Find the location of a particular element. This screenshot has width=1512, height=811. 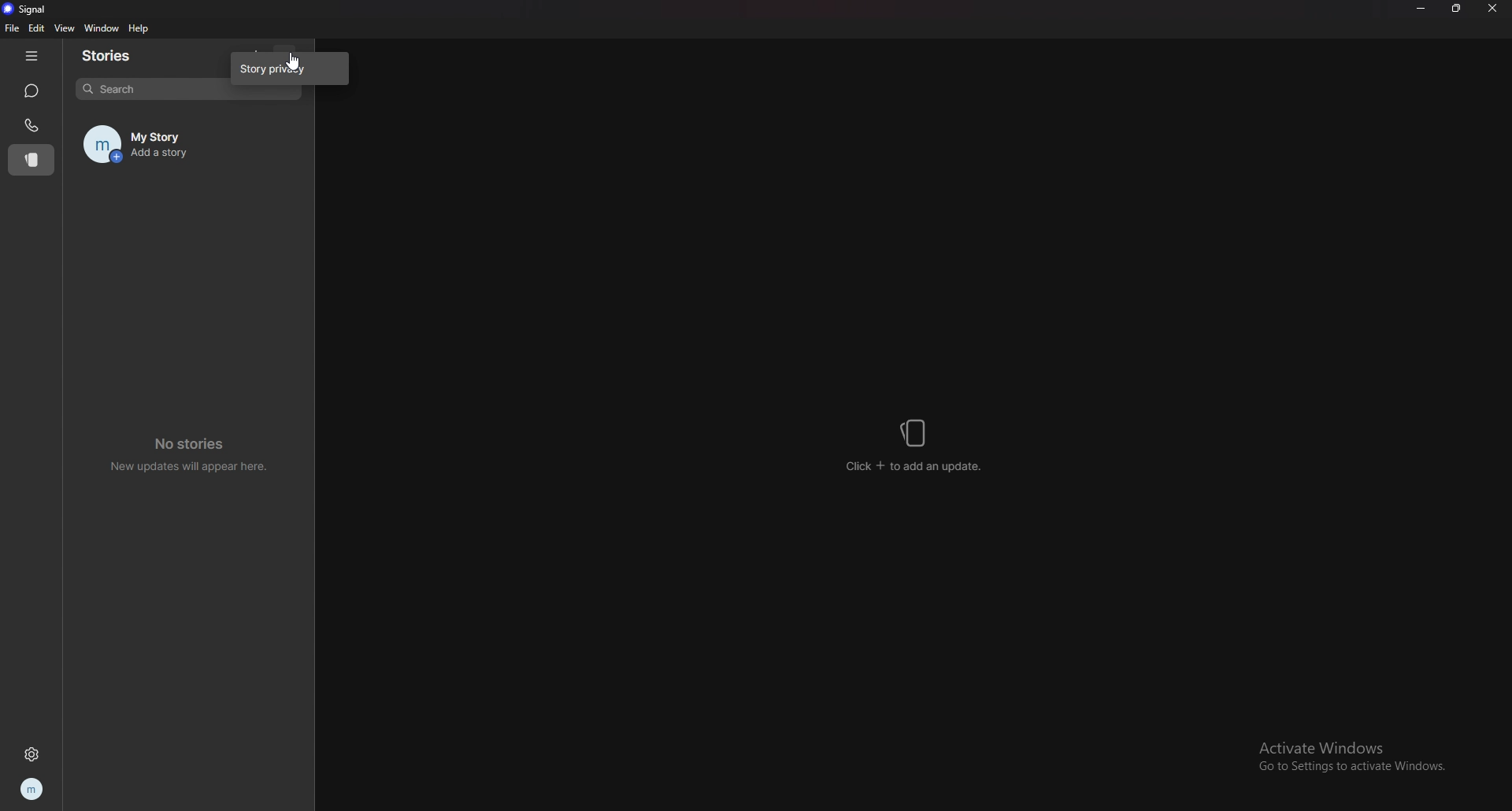

Activate Windows is located at coordinates (1340, 745).